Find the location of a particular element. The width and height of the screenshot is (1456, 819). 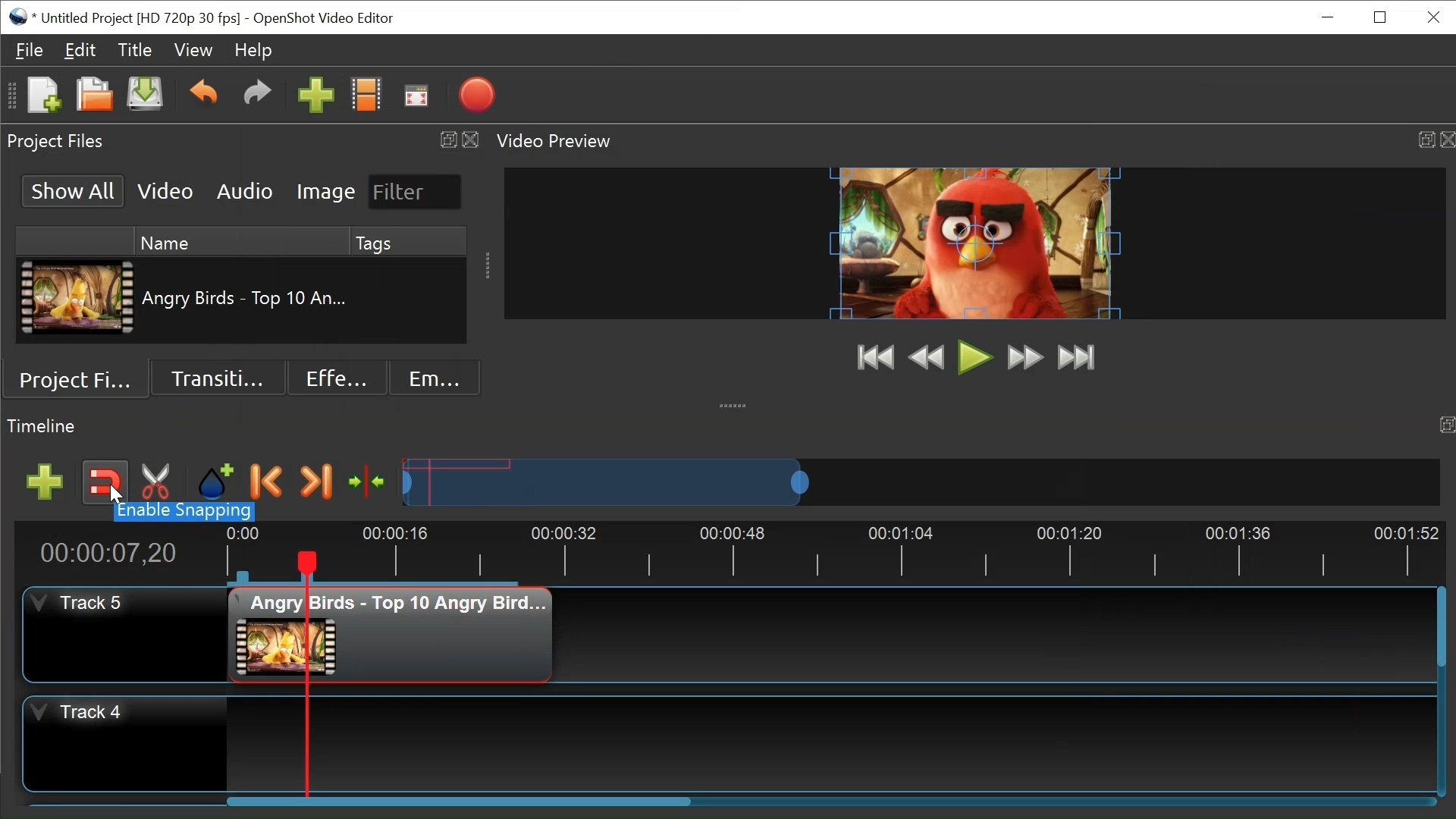

Effects is located at coordinates (338, 378).